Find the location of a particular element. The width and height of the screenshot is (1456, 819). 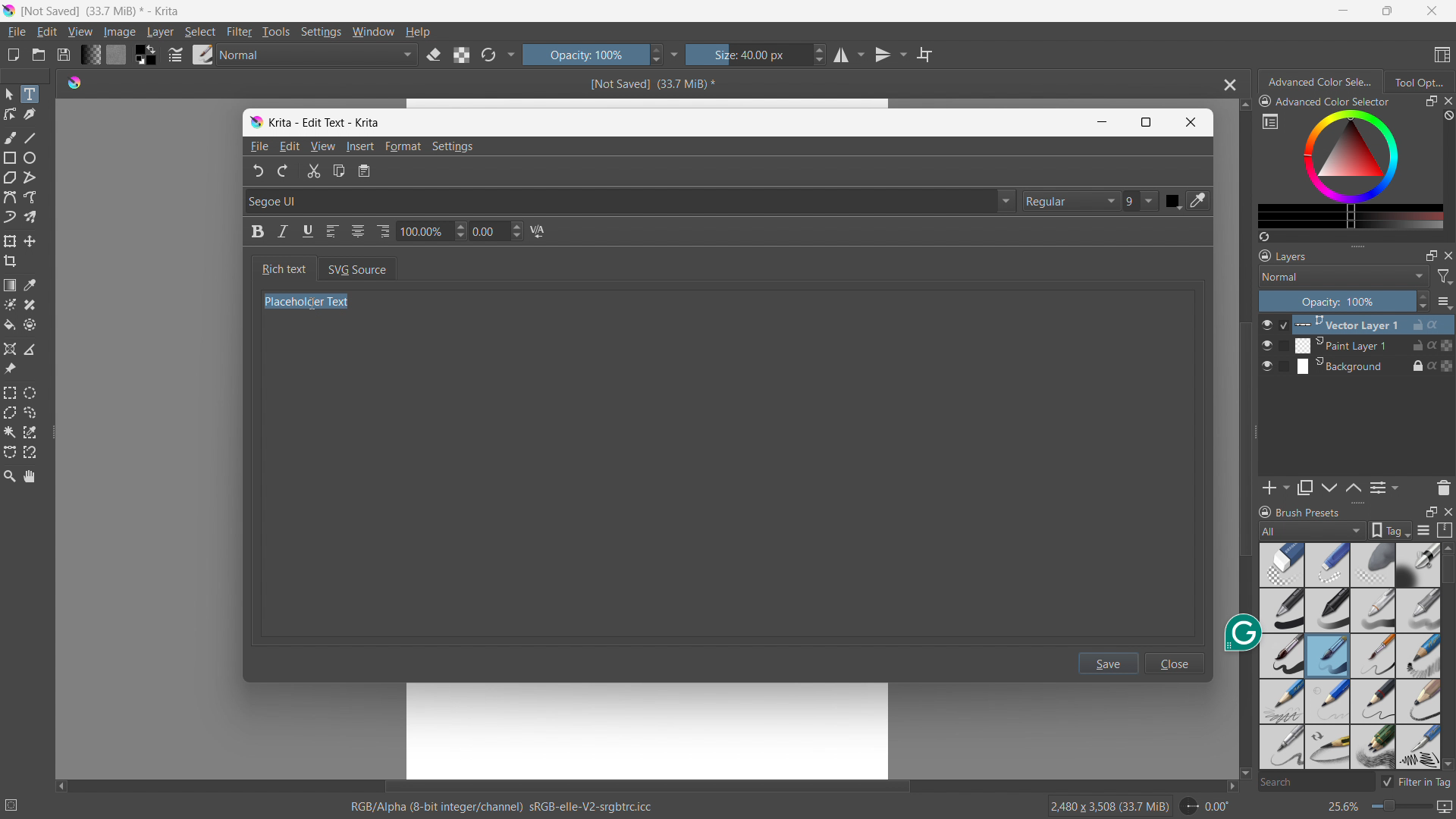

resize is located at coordinates (1256, 433).